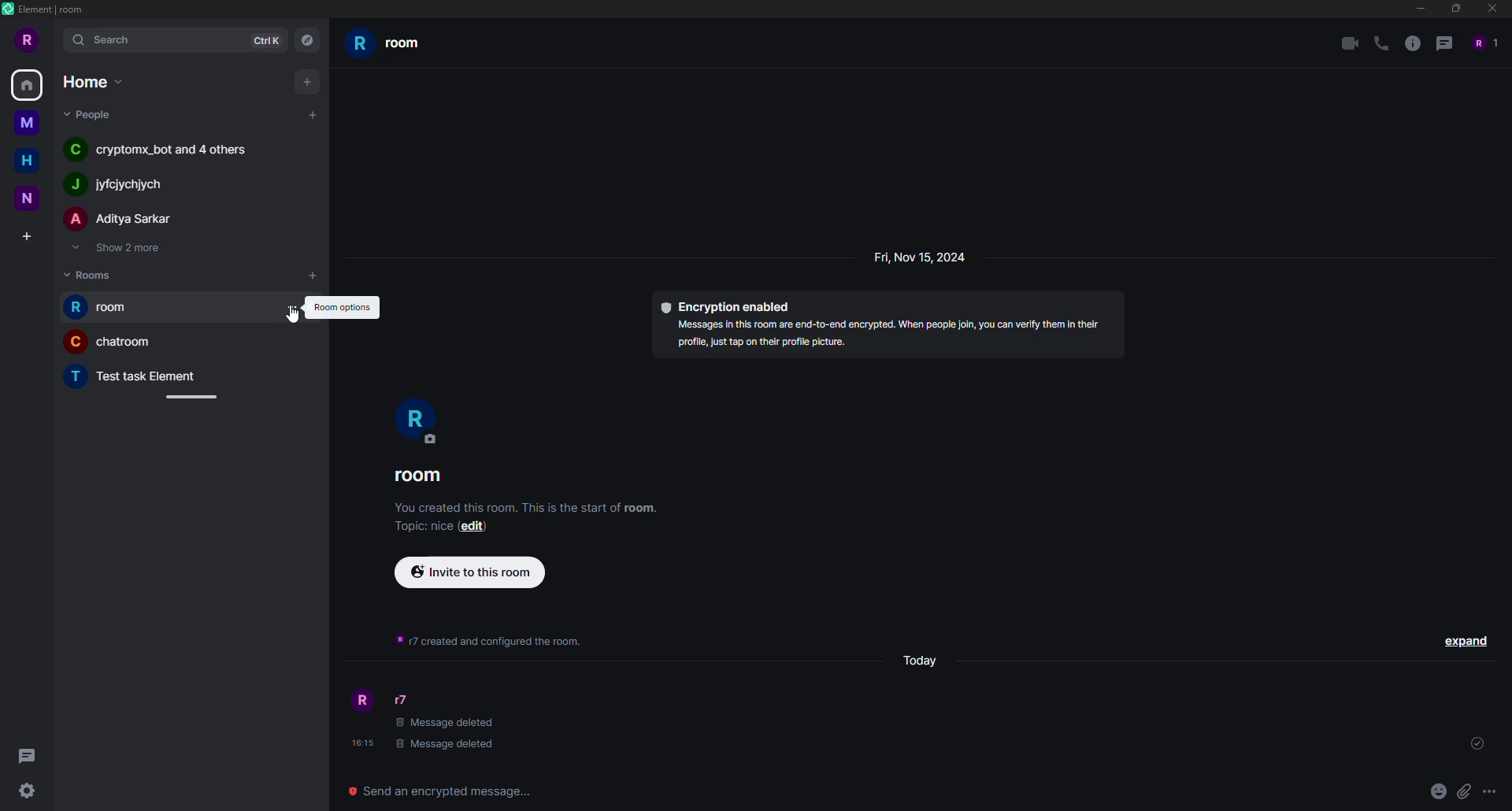  Describe the element at coordinates (1347, 43) in the screenshot. I see `video call` at that location.